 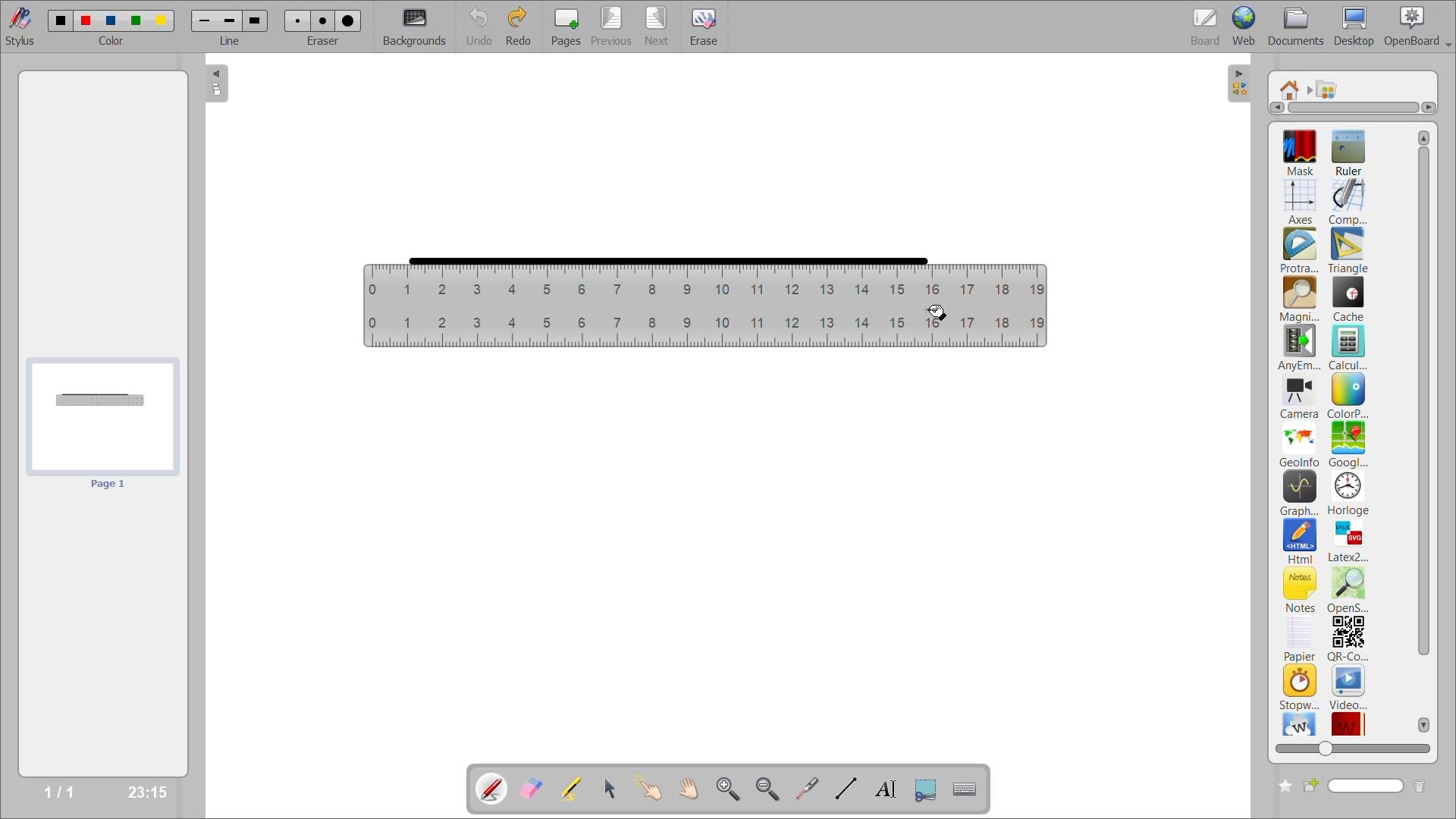 What do you see at coordinates (1282, 786) in the screenshot?
I see `create new folder` at bounding box center [1282, 786].